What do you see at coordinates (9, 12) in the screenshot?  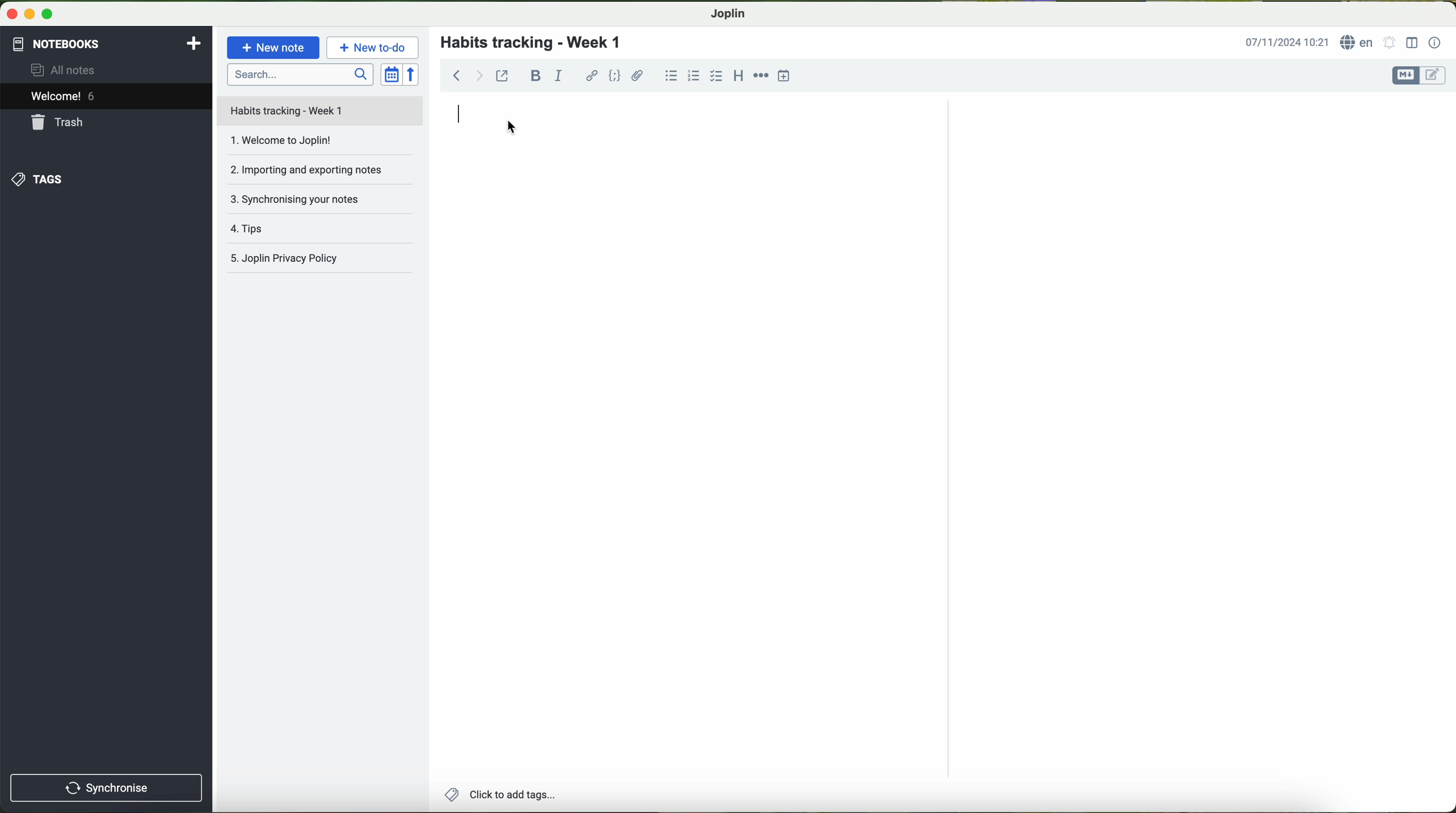 I see `close` at bounding box center [9, 12].